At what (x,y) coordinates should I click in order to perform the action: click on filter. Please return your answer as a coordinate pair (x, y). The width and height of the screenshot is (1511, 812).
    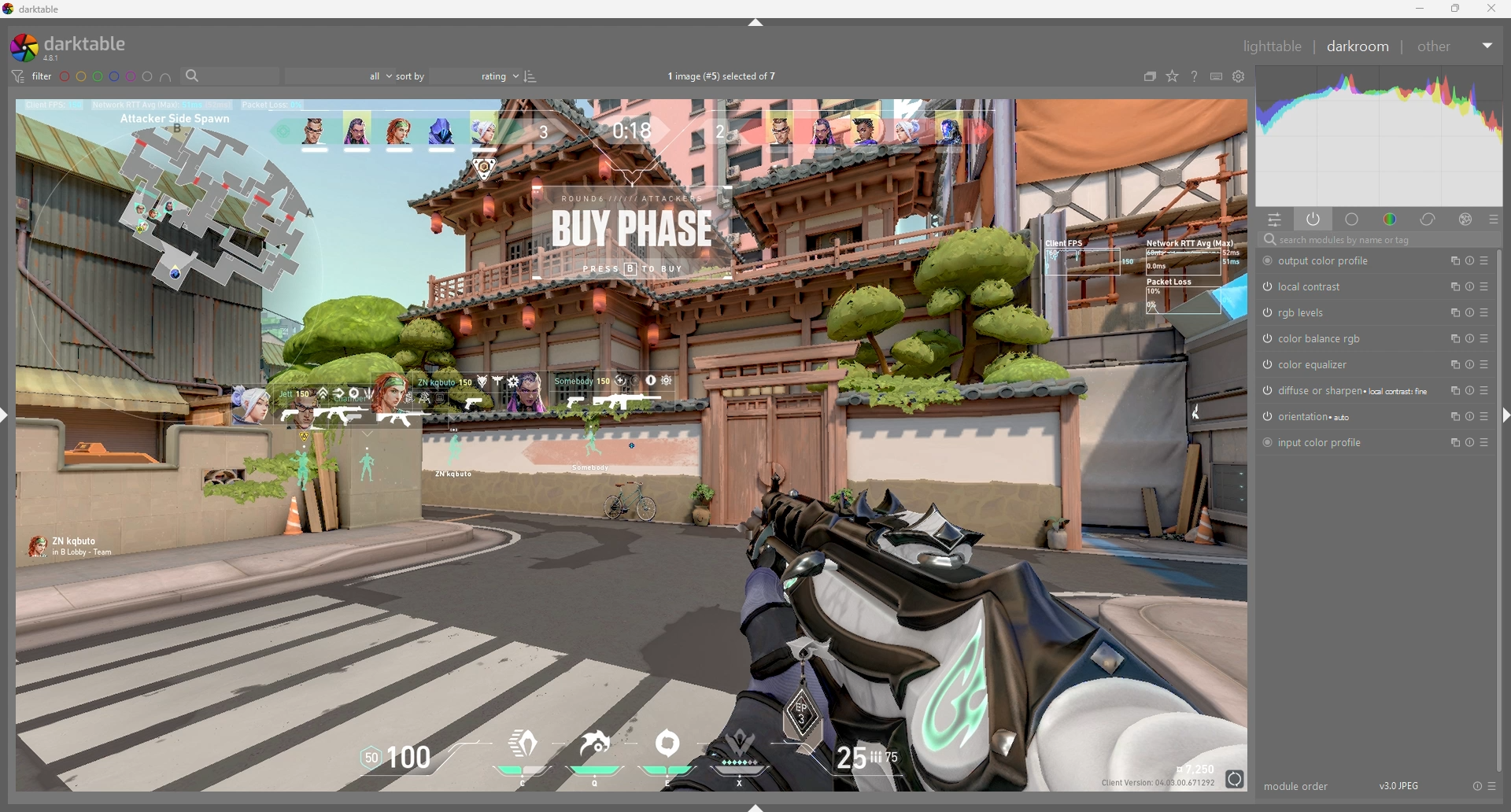
    Looking at the image, I should click on (32, 76).